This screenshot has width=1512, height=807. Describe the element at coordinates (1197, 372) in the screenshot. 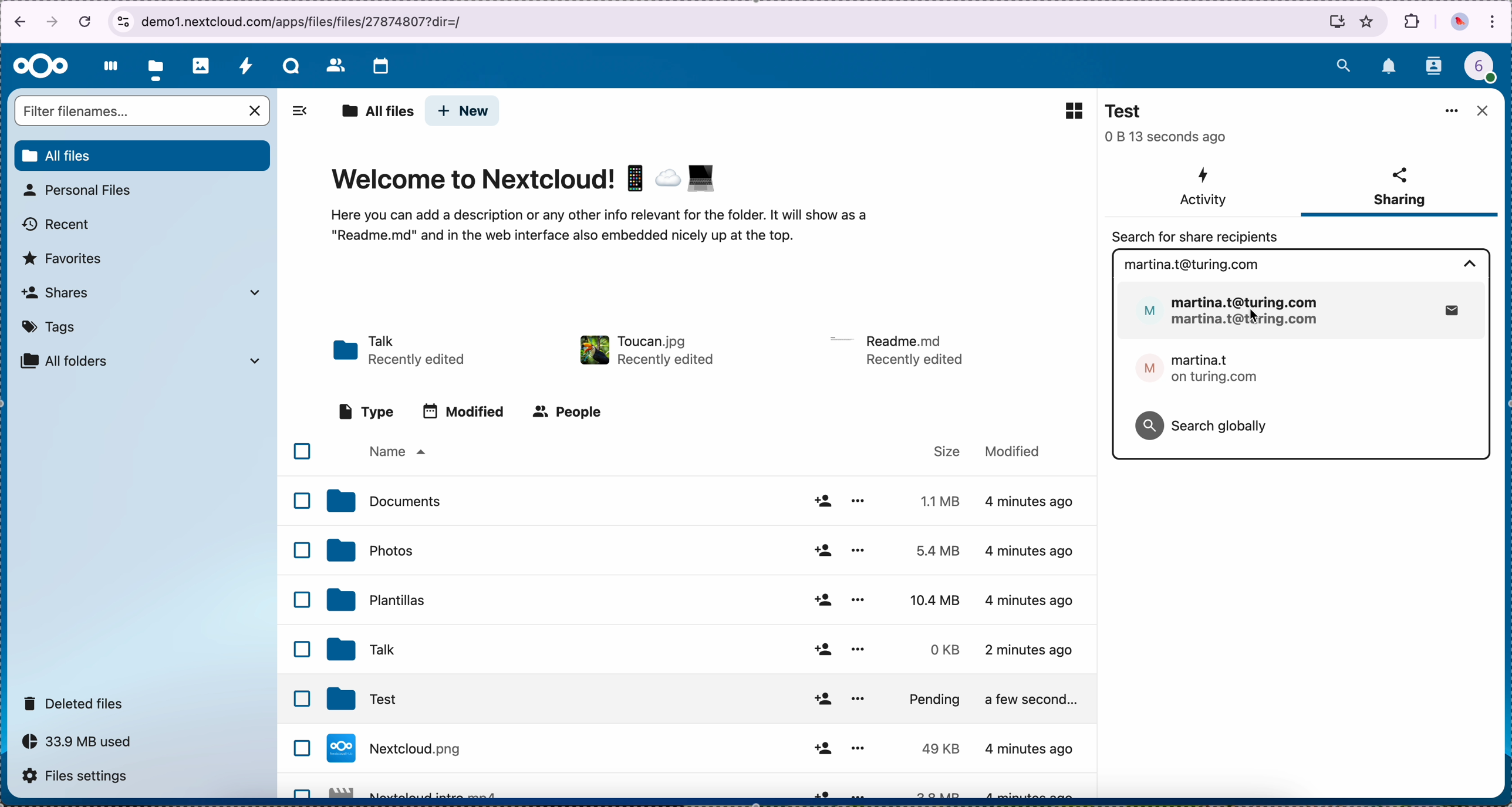

I see `martina.t` at that location.